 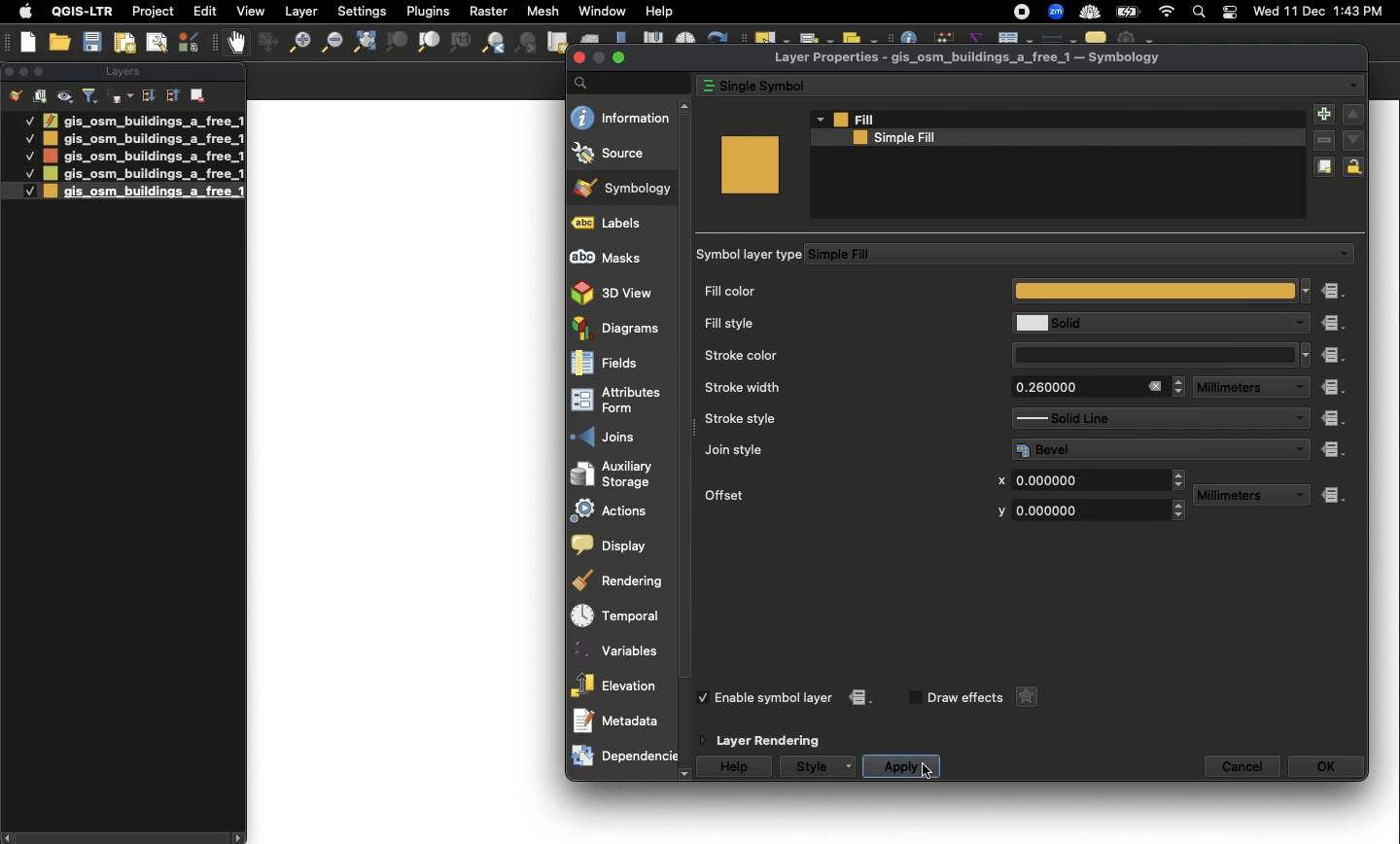 I want to click on Checked, so click(x=29, y=156).